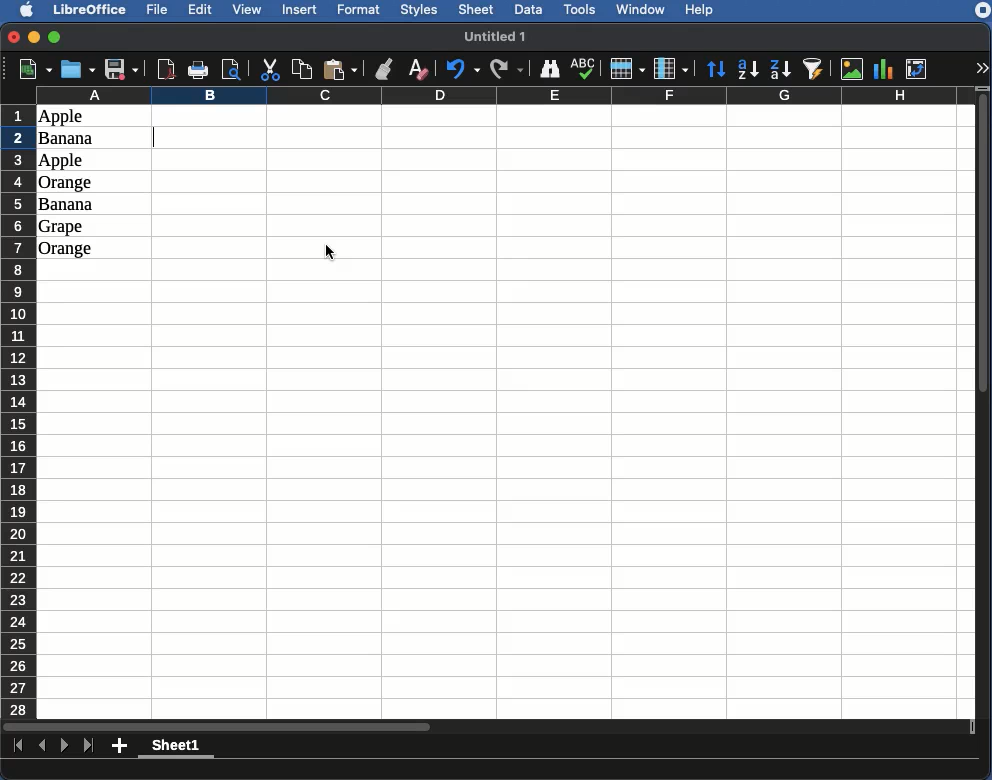  Describe the element at coordinates (750, 69) in the screenshot. I see `Ascending` at that location.